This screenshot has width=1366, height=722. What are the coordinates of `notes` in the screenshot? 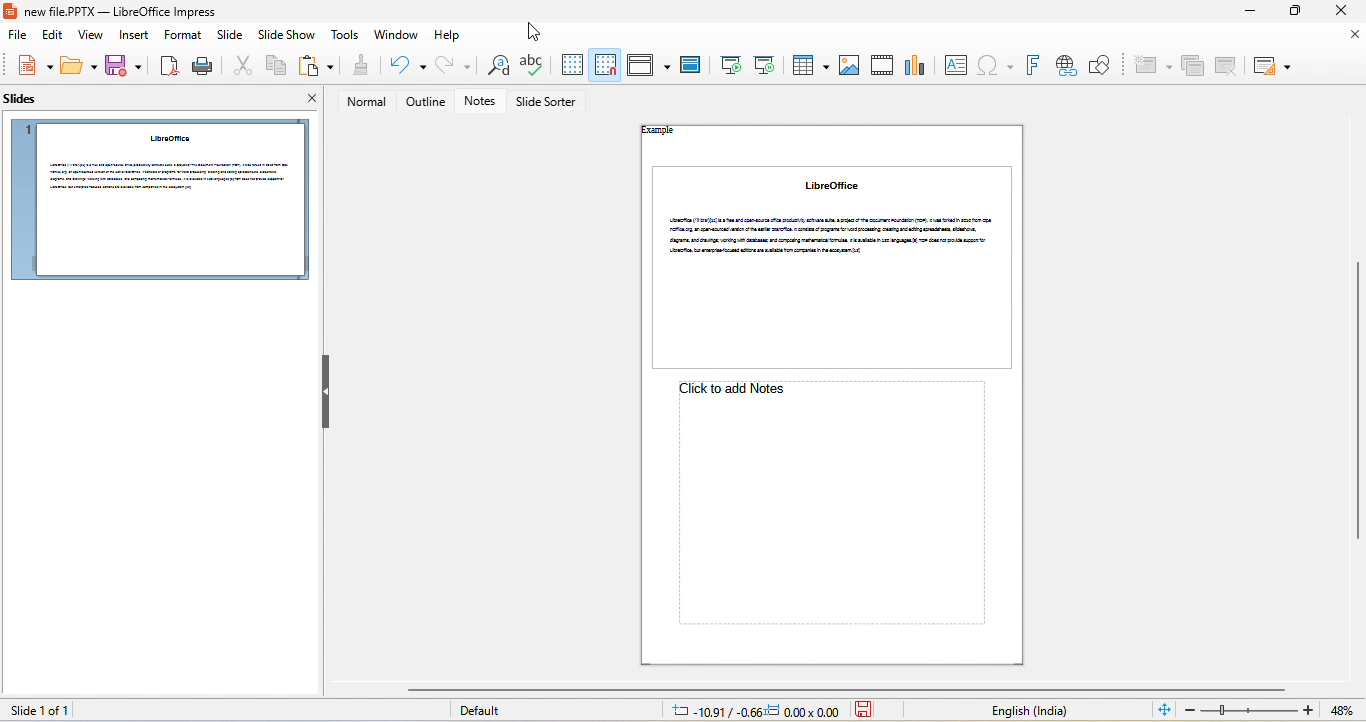 It's located at (484, 102).